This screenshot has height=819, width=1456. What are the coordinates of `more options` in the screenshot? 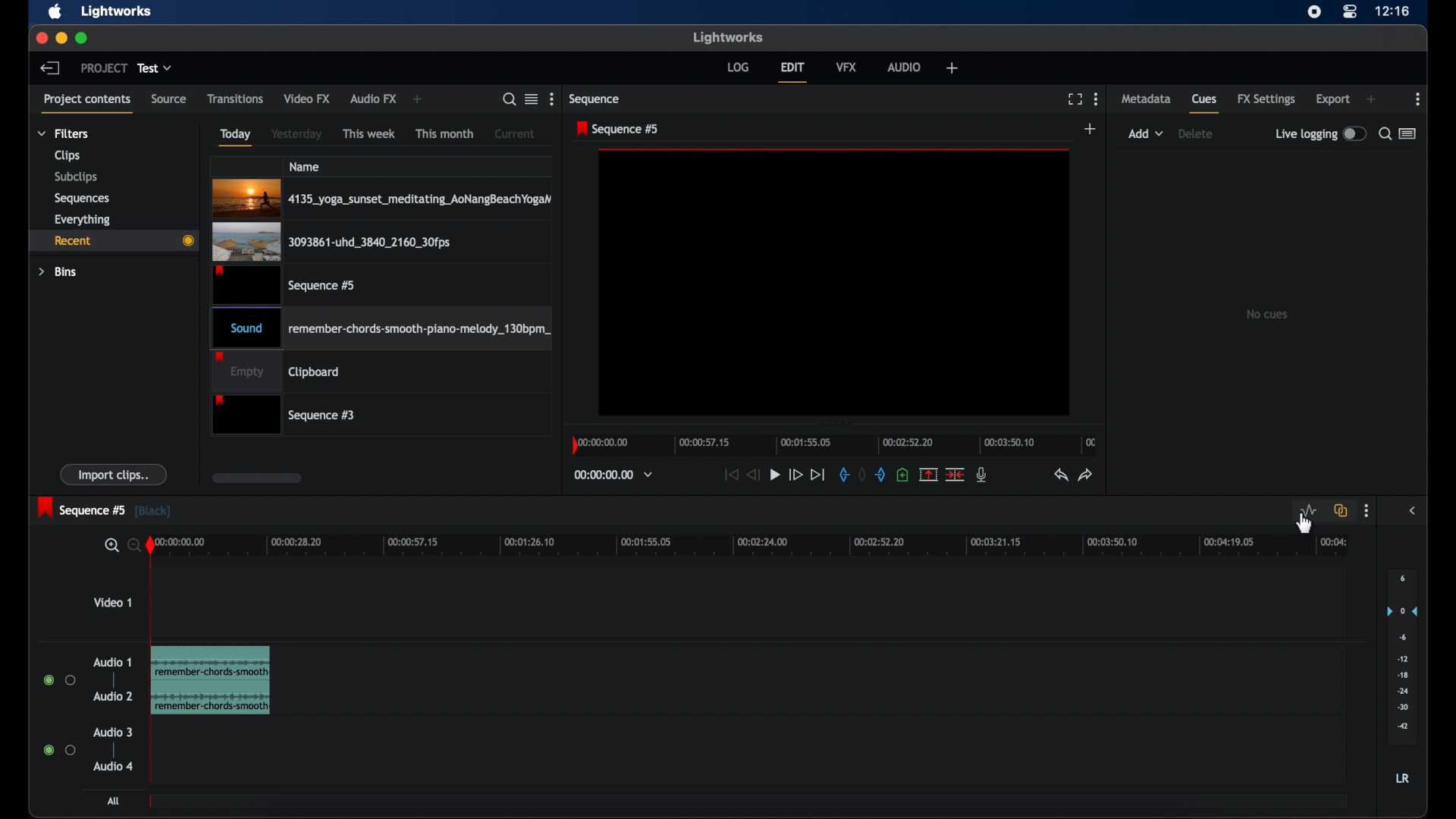 It's located at (1366, 511).